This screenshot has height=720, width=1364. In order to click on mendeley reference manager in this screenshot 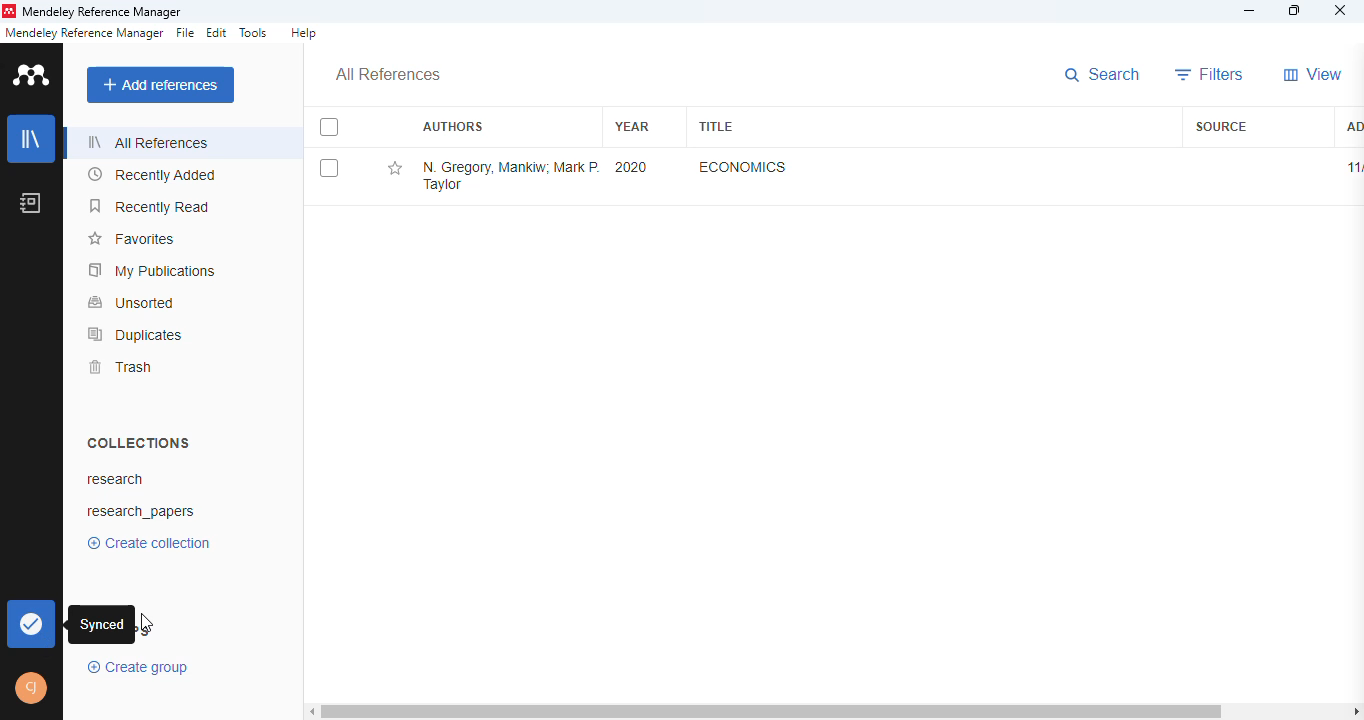, I will do `click(84, 33)`.